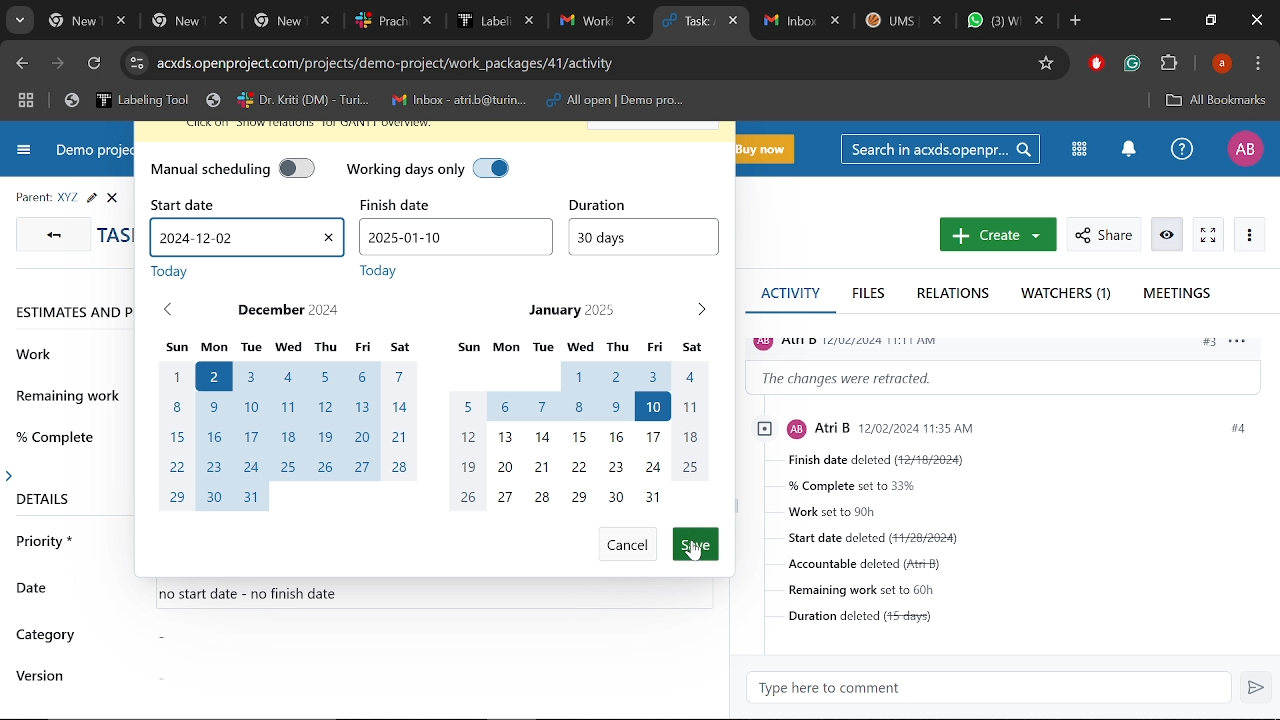 This screenshot has height=720, width=1280. What do you see at coordinates (658, 406) in the screenshot?
I see `finish date` at bounding box center [658, 406].